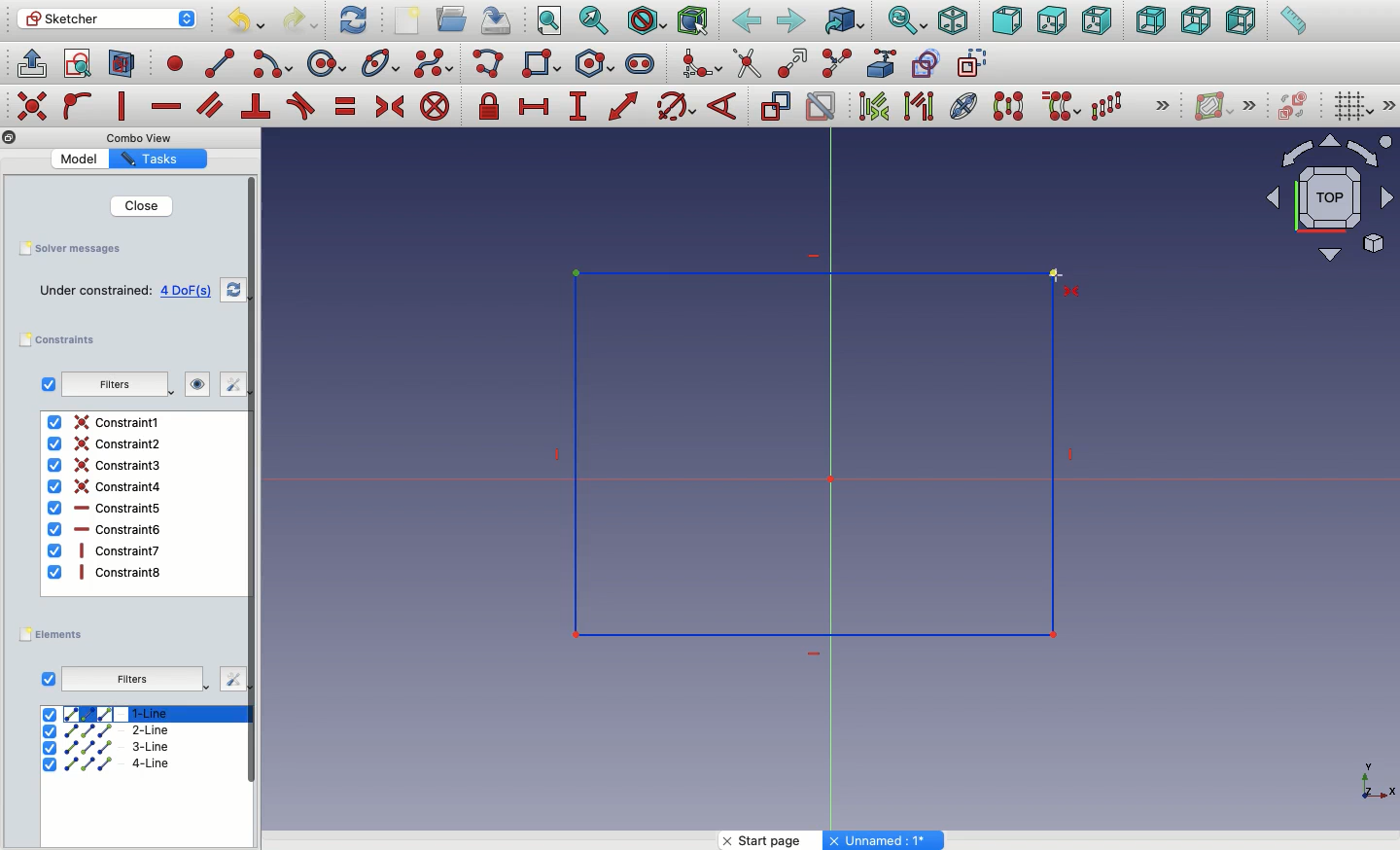 The height and width of the screenshot is (850, 1400). Describe the element at coordinates (103, 422) in the screenshot. I see `Constraint1` at that location.